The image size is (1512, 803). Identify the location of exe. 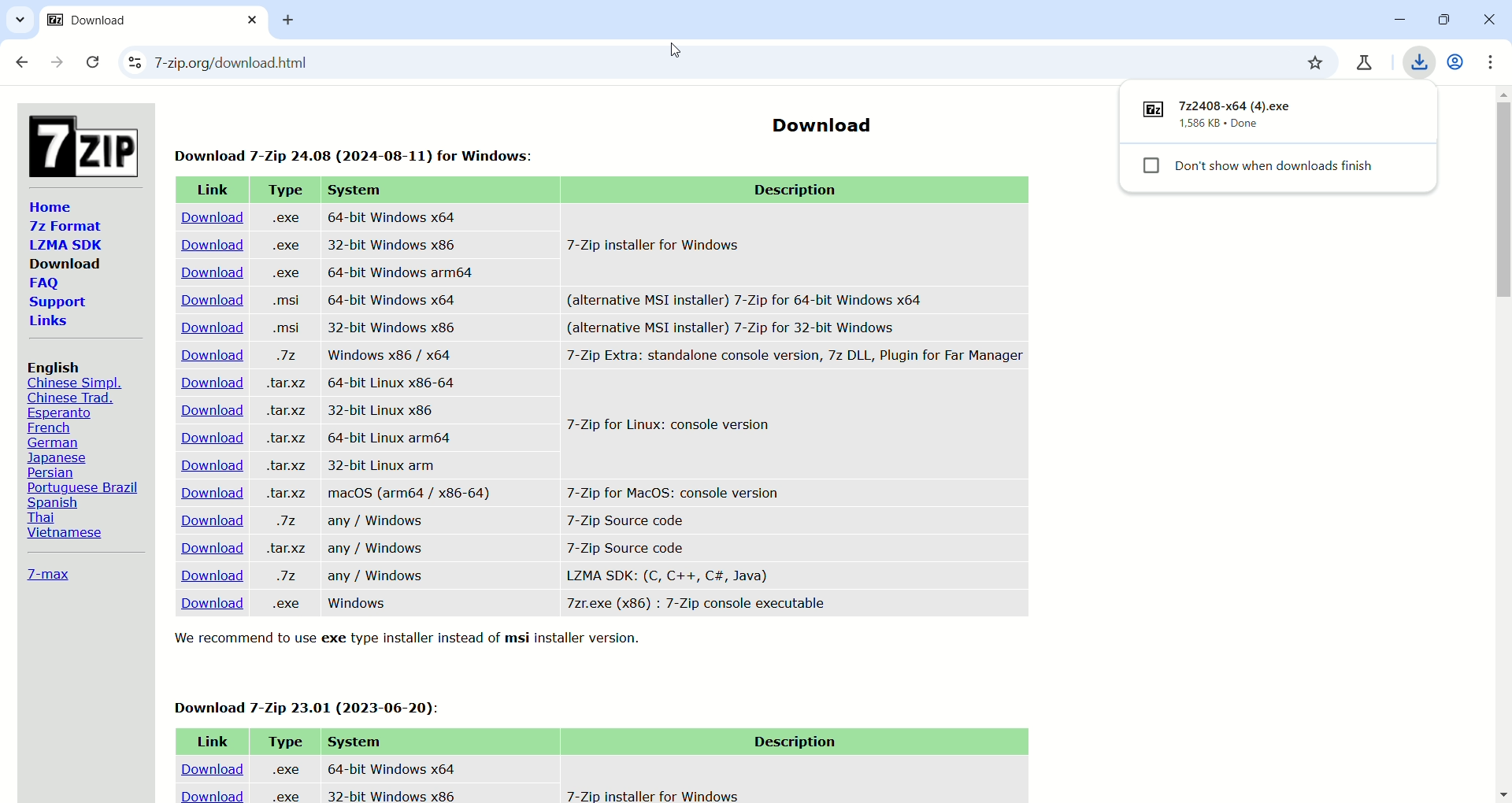
(284, 217).